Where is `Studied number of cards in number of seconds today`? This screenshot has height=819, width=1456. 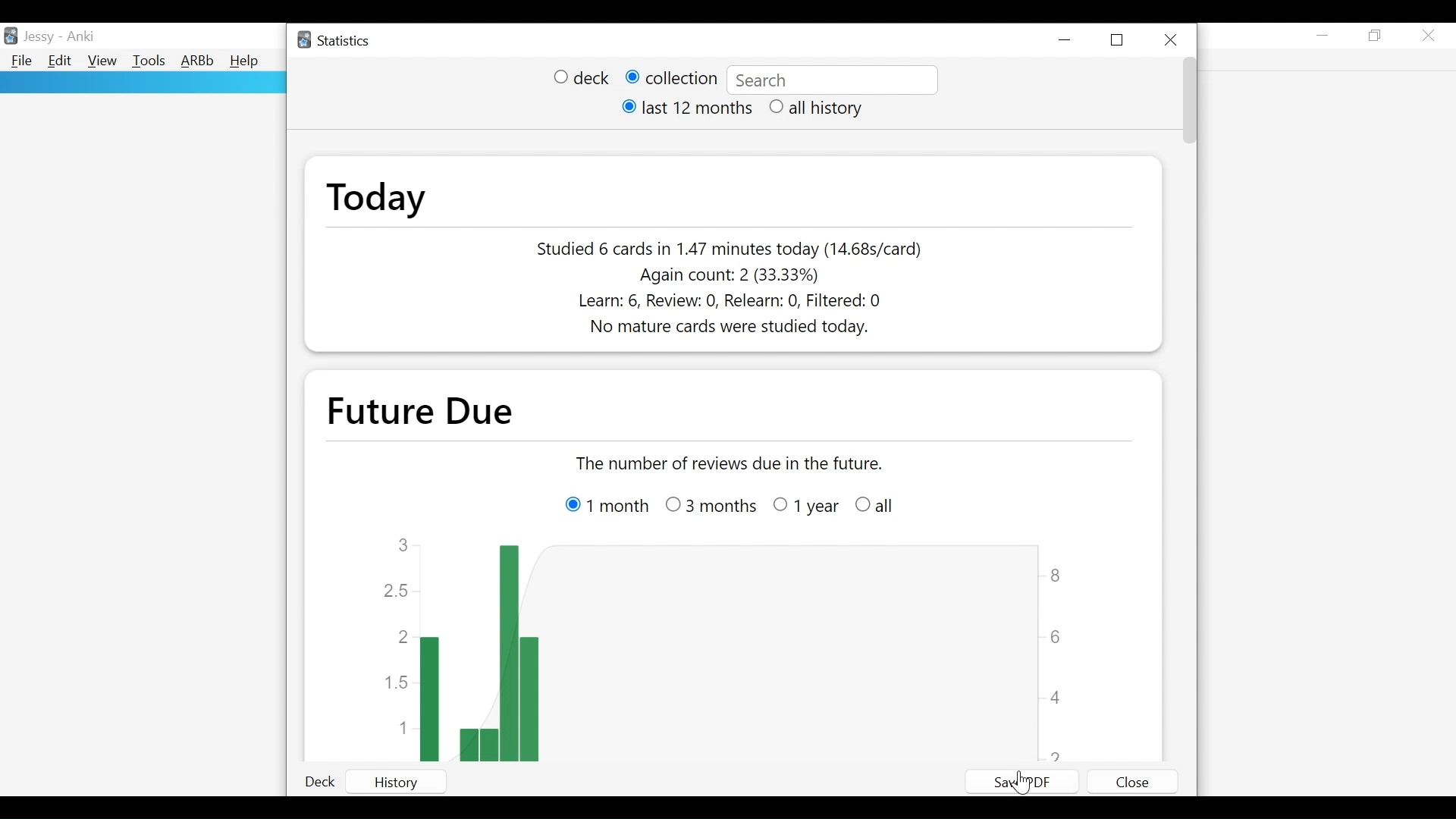
Studied number of cards in number of seconds today is located at coordinates (730, 249).